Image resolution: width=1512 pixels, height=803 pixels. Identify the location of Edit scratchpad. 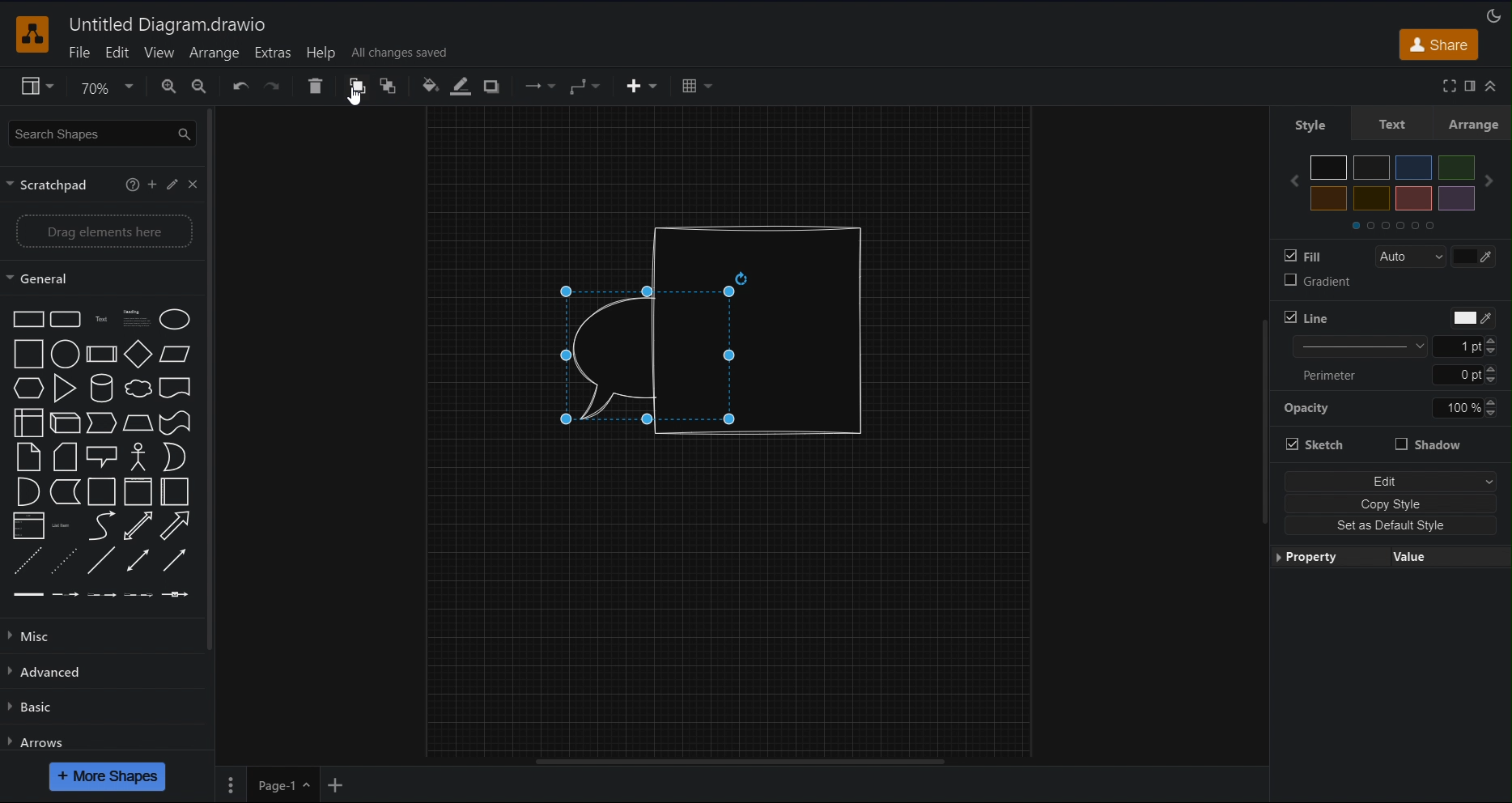
(172, 185).